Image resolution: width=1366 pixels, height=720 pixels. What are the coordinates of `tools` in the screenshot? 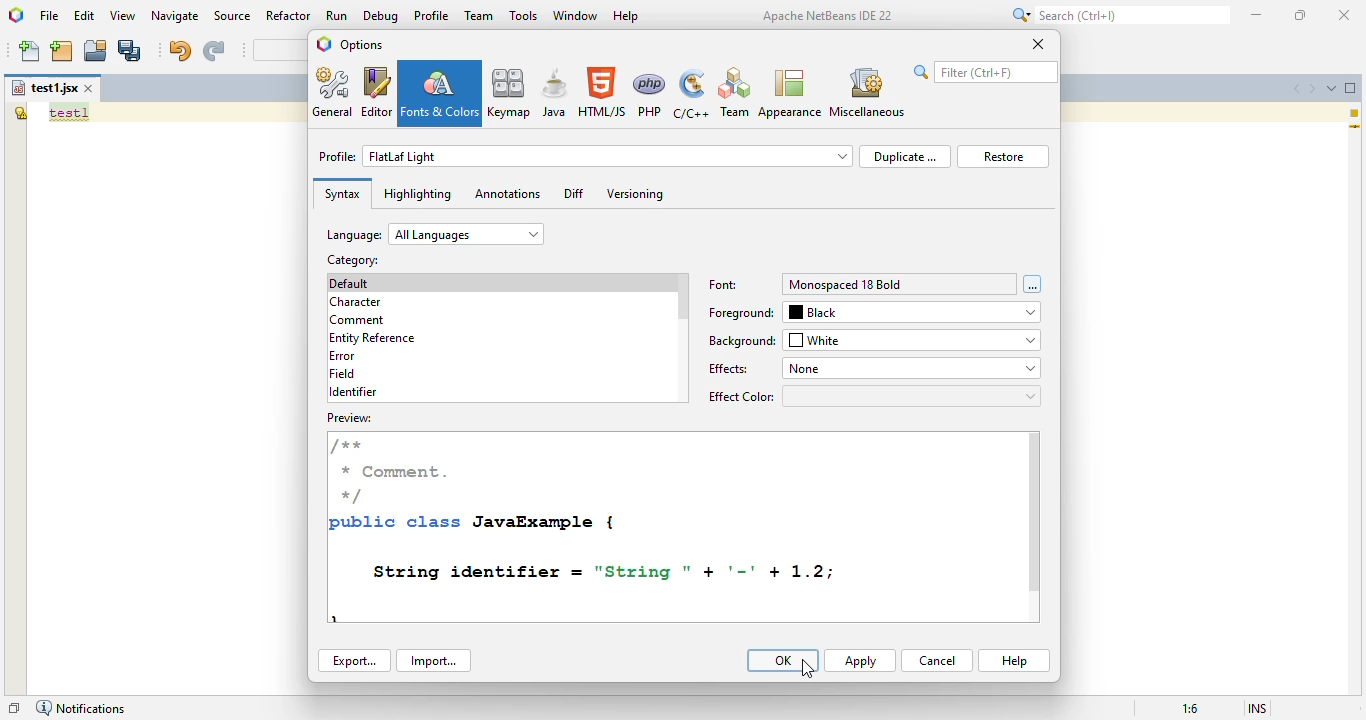 It's located at (523, 16).